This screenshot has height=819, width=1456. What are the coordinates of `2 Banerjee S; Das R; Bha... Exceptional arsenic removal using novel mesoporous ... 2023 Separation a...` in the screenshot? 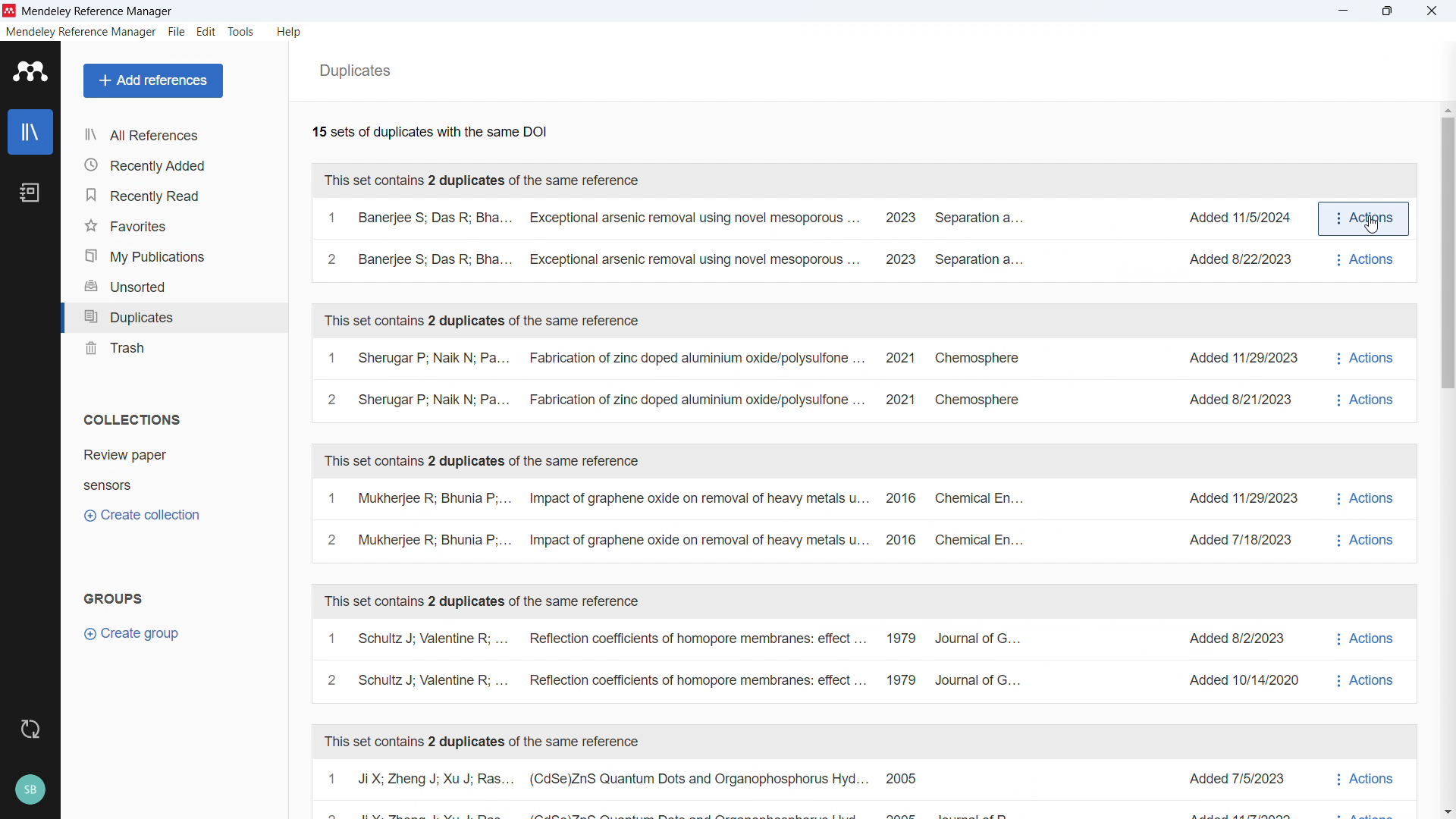 It's located at (676, 264).